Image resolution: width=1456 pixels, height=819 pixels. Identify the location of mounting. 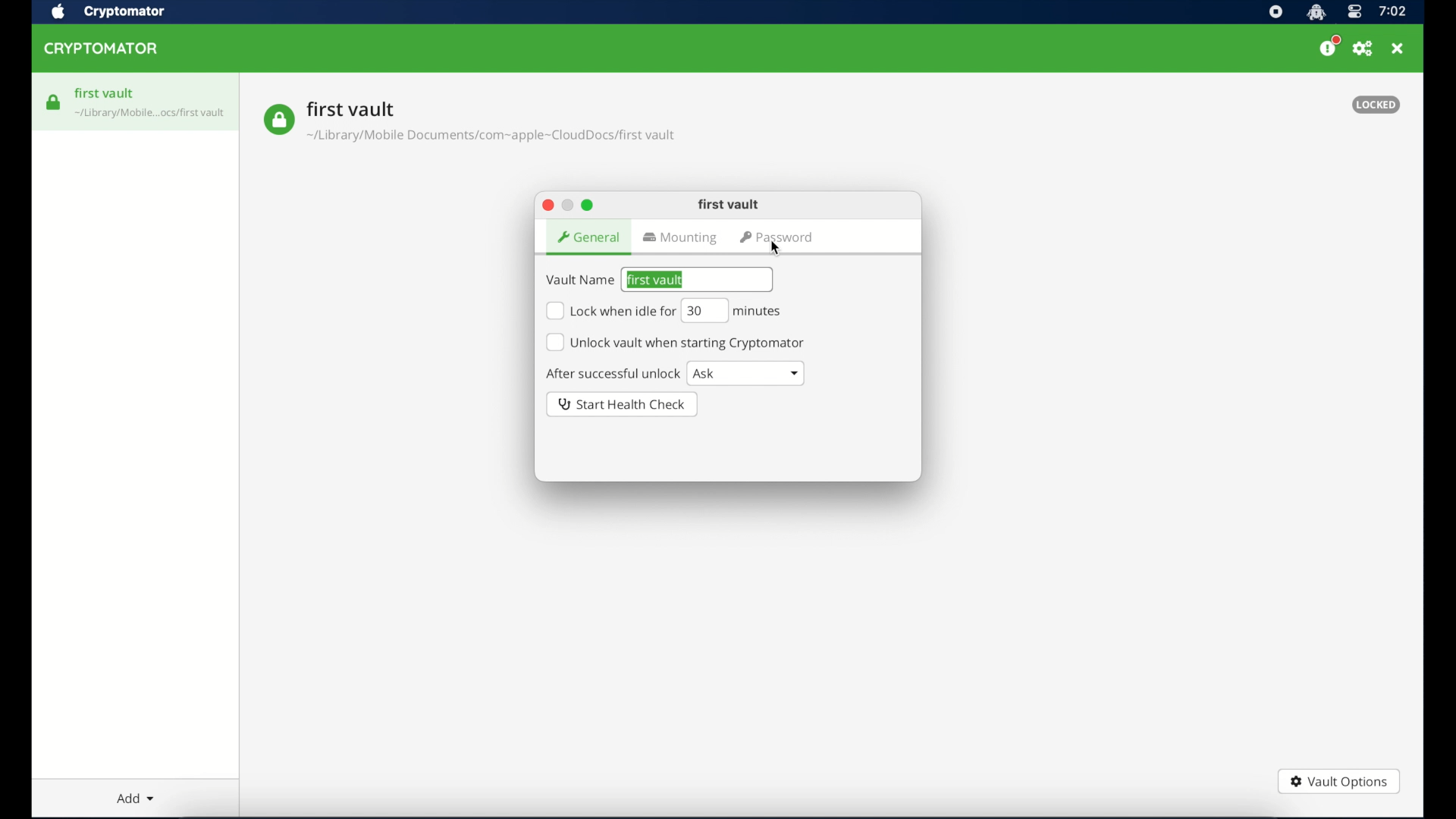
(682, 239).